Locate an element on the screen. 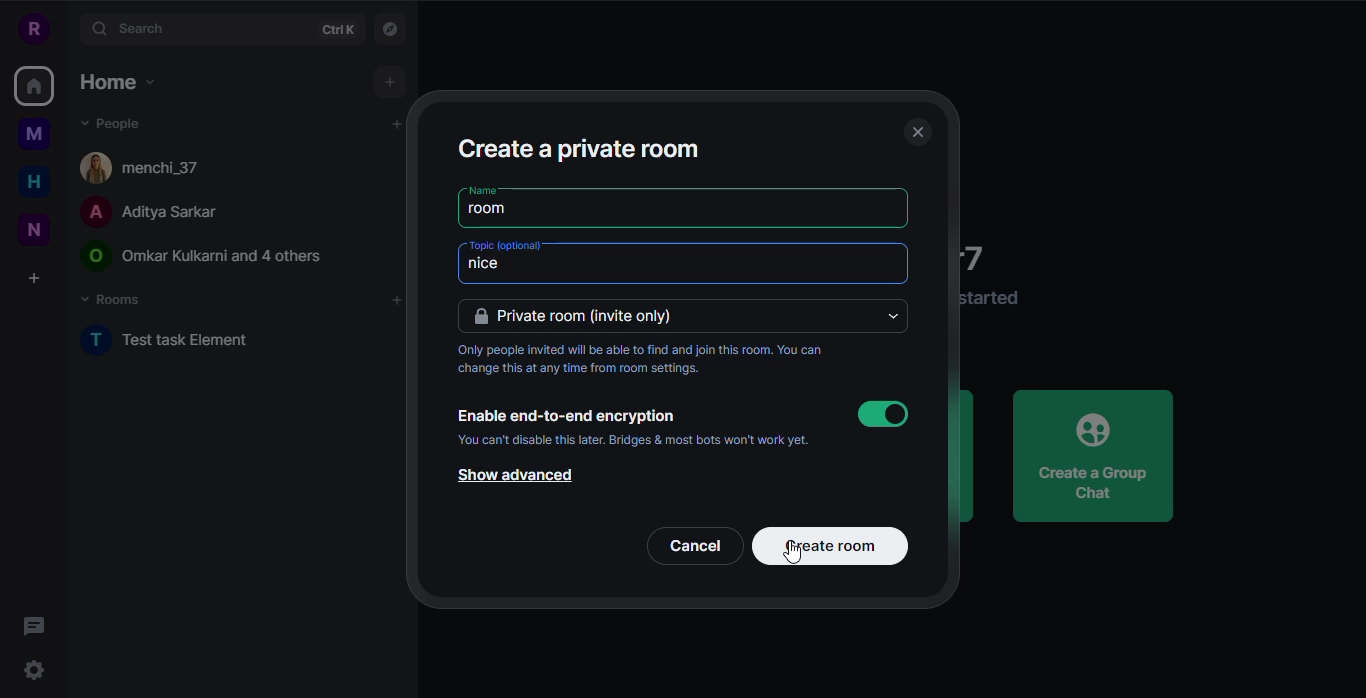  home is located at coordinates (34, 181).